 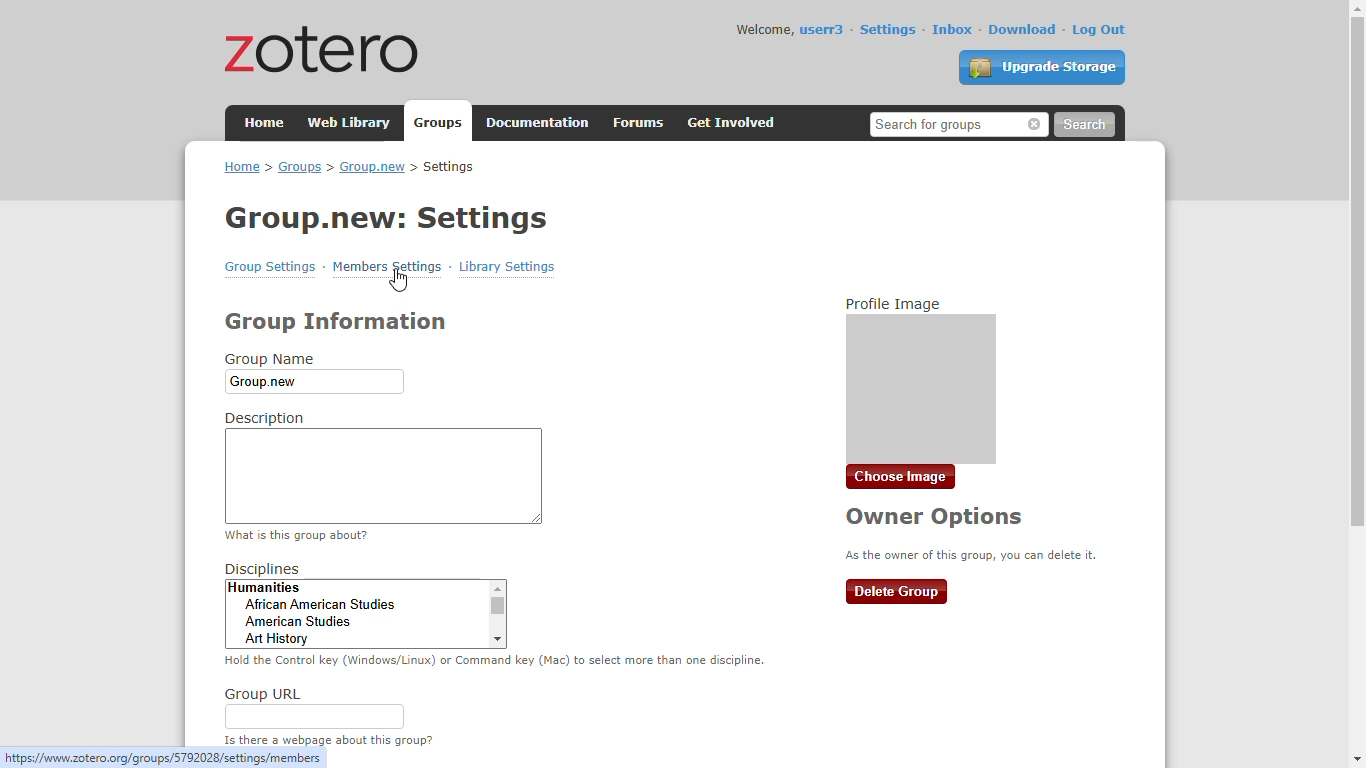 I want to click on get involved, so click(x=733, y=123).